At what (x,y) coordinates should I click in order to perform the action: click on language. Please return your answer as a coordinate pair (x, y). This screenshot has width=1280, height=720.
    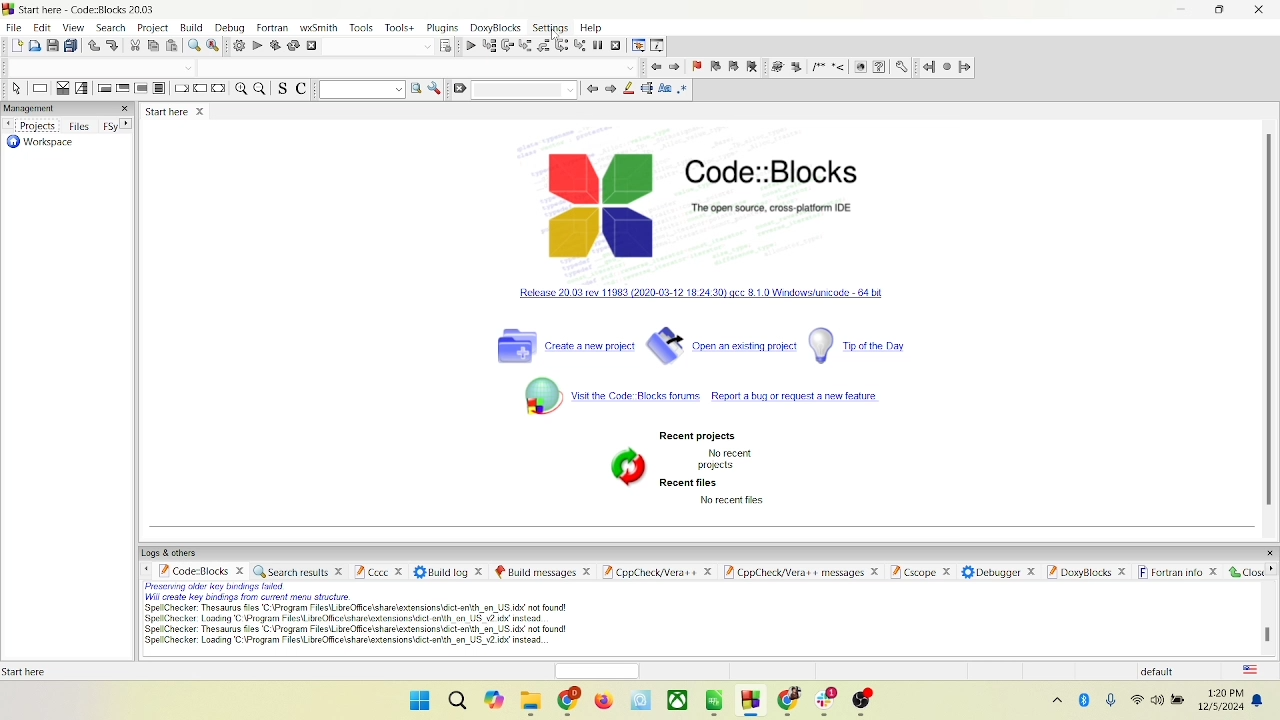
    Looking at the image, I should click on (1248, 669).